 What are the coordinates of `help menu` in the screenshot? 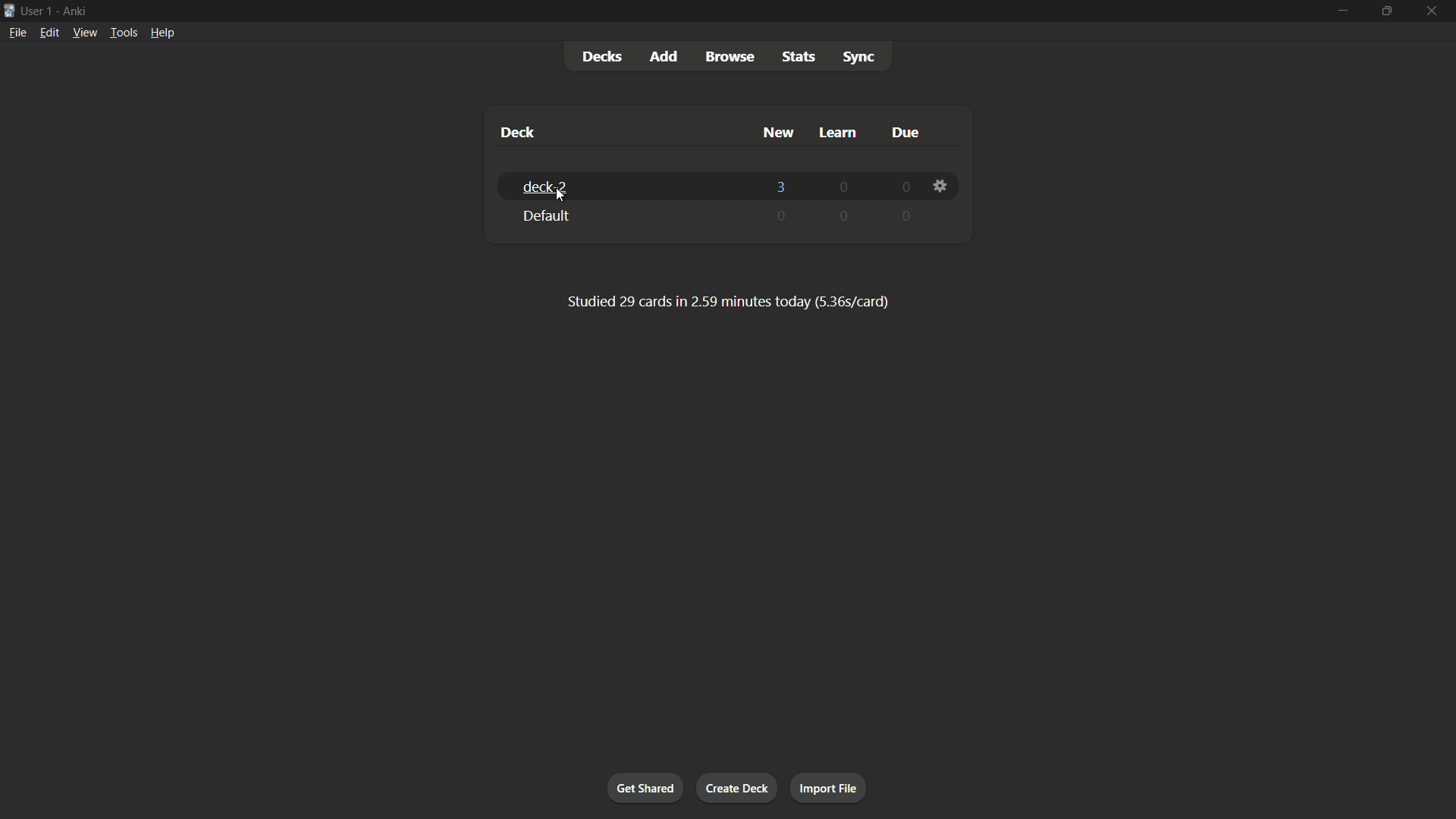 It's located at (164, 32).